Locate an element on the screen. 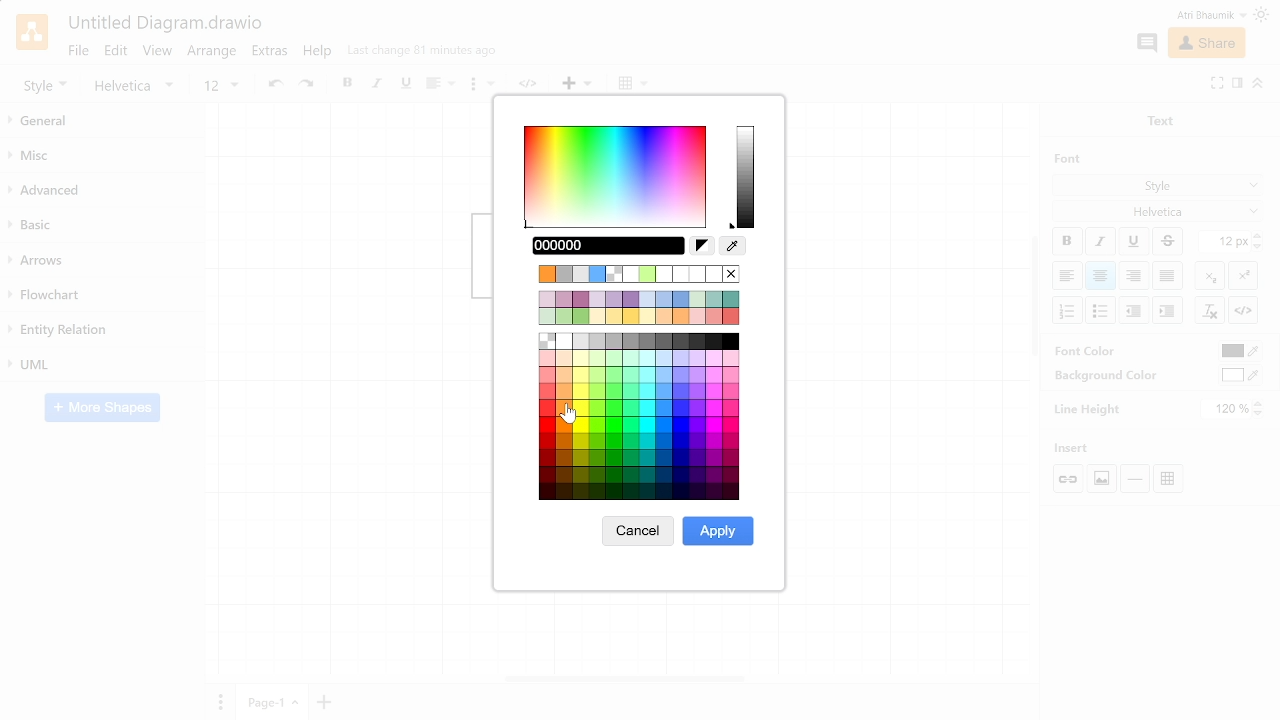 This screenshot has width=1280, height=720. underline is located at coordinates (405, 84).